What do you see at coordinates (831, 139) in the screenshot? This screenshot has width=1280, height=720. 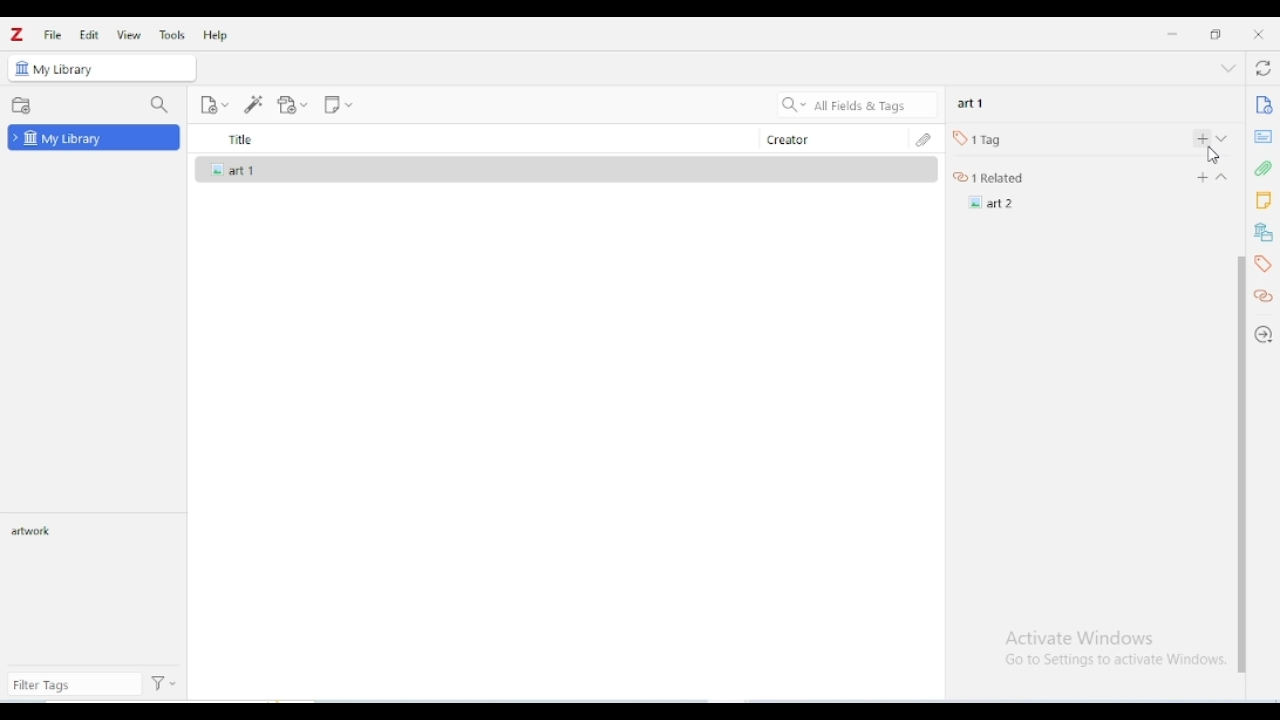 I see `creator` at bounding box center [831, 139].